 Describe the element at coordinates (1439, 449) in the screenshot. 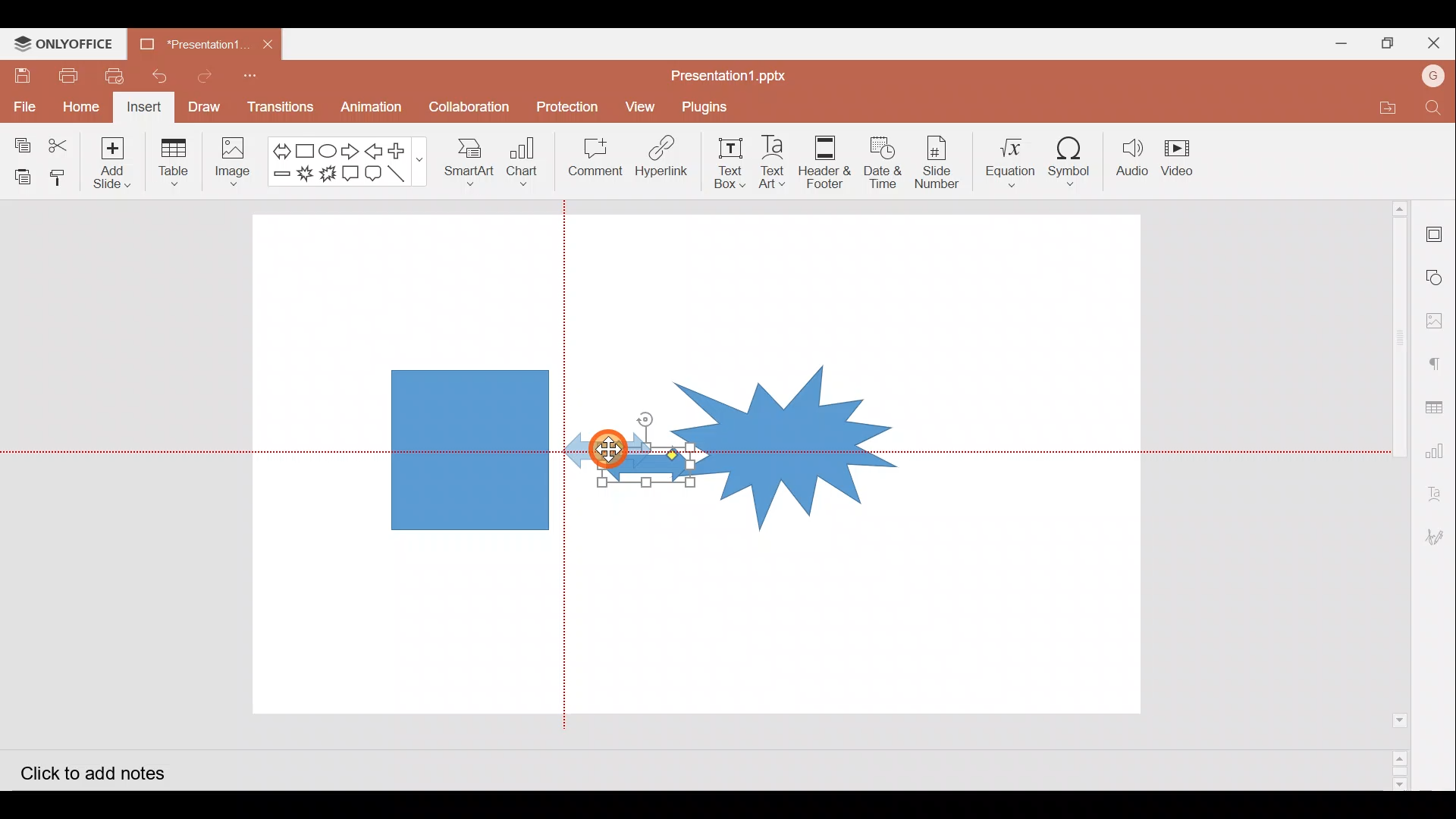

I see `Chart settings` at that location.